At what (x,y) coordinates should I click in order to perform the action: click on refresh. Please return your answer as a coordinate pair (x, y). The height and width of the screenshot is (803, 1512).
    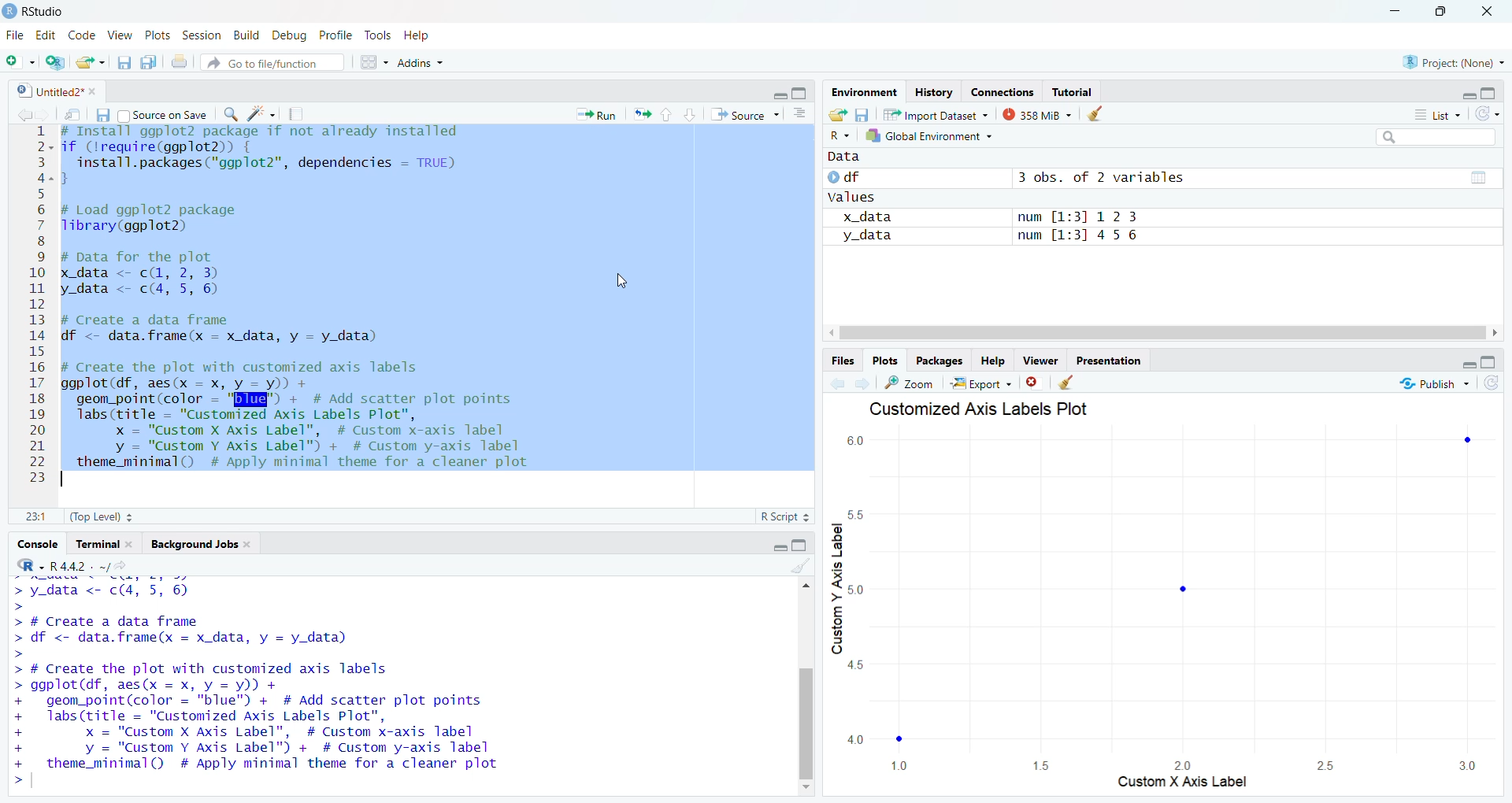
    Looking at the image, I should click on (1487, 114).